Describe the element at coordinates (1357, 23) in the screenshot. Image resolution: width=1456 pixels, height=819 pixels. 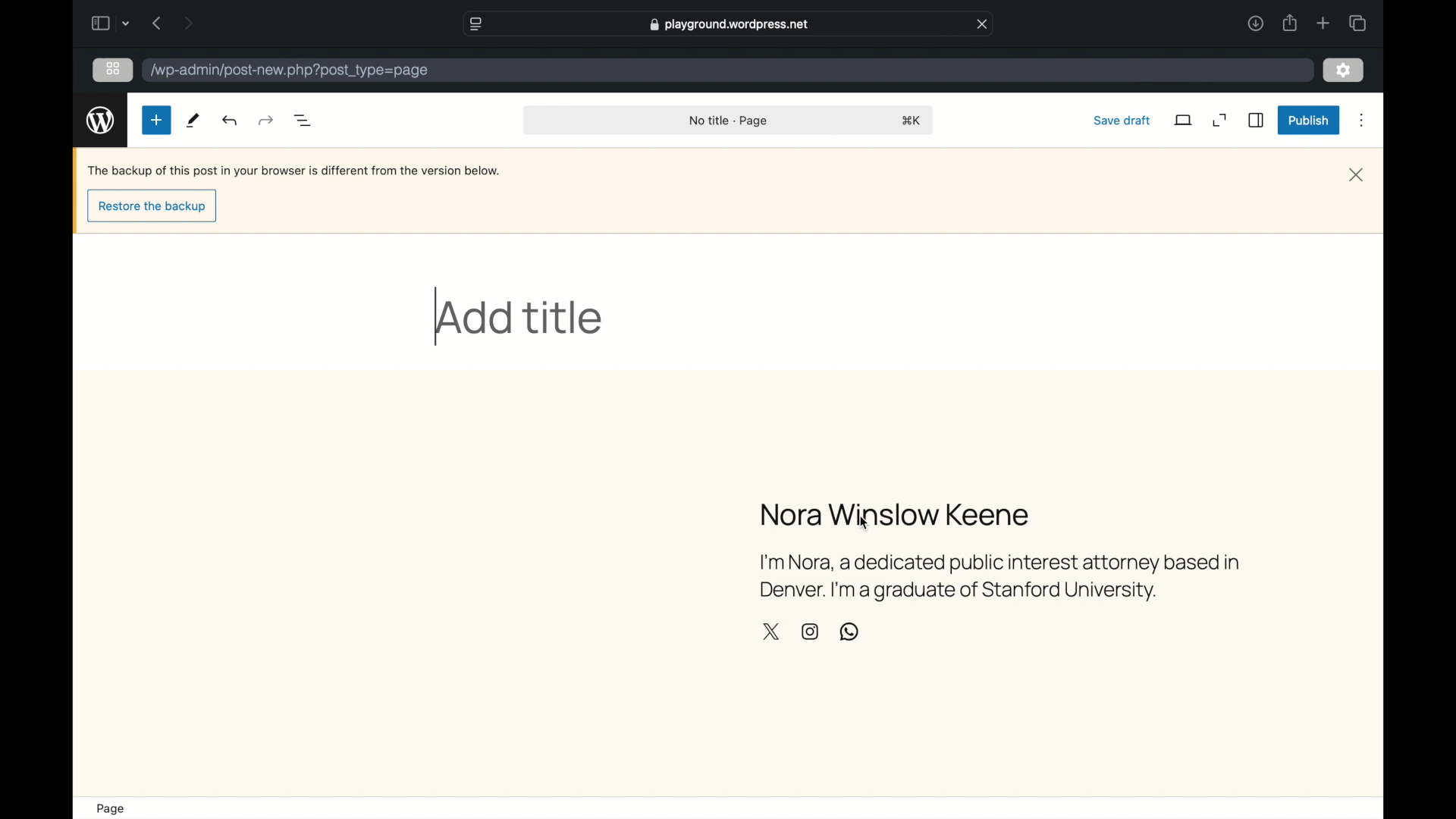
I see `show tab overview` at that location.